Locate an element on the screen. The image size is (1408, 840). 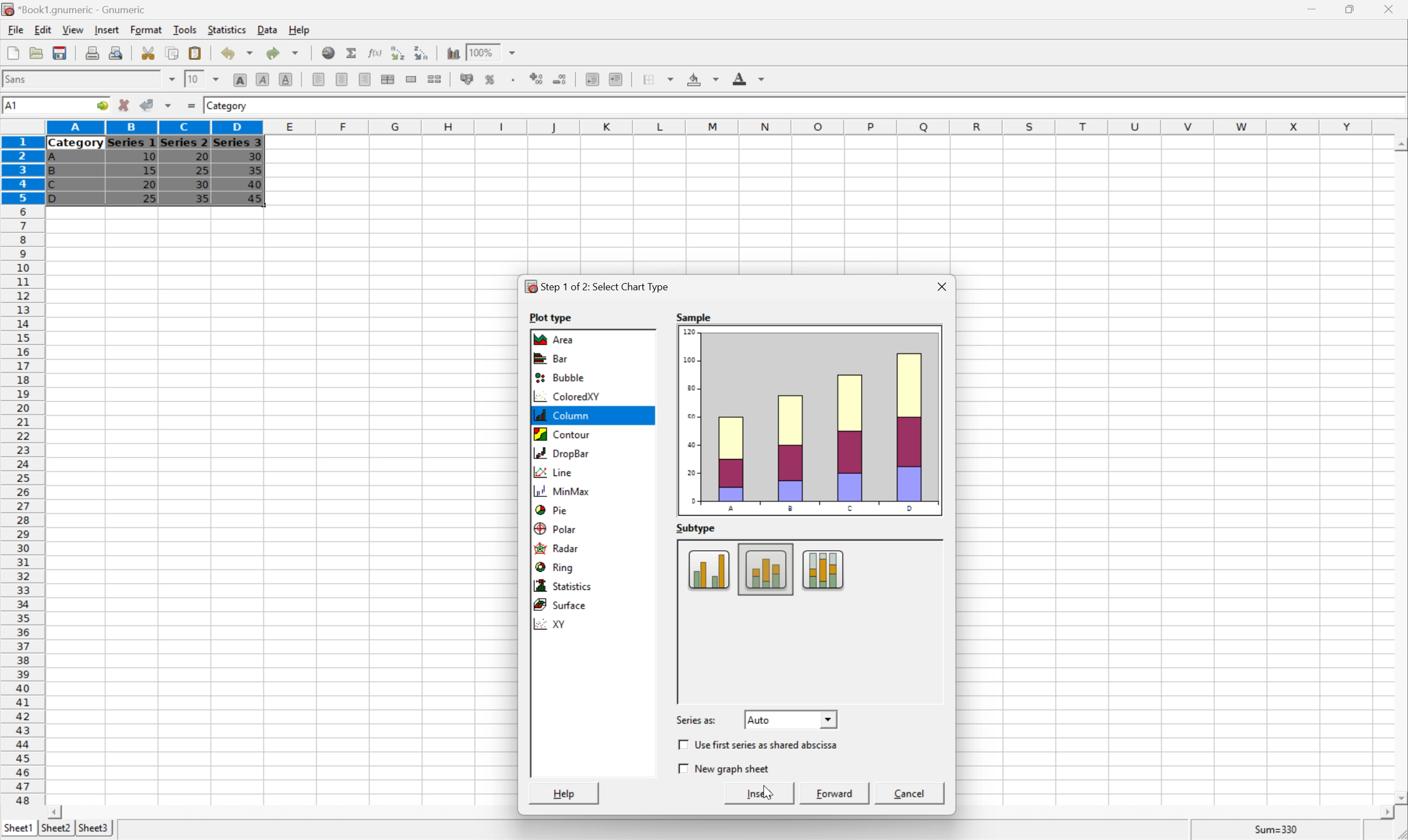
5R*4C is located at coordinates (24, 107).